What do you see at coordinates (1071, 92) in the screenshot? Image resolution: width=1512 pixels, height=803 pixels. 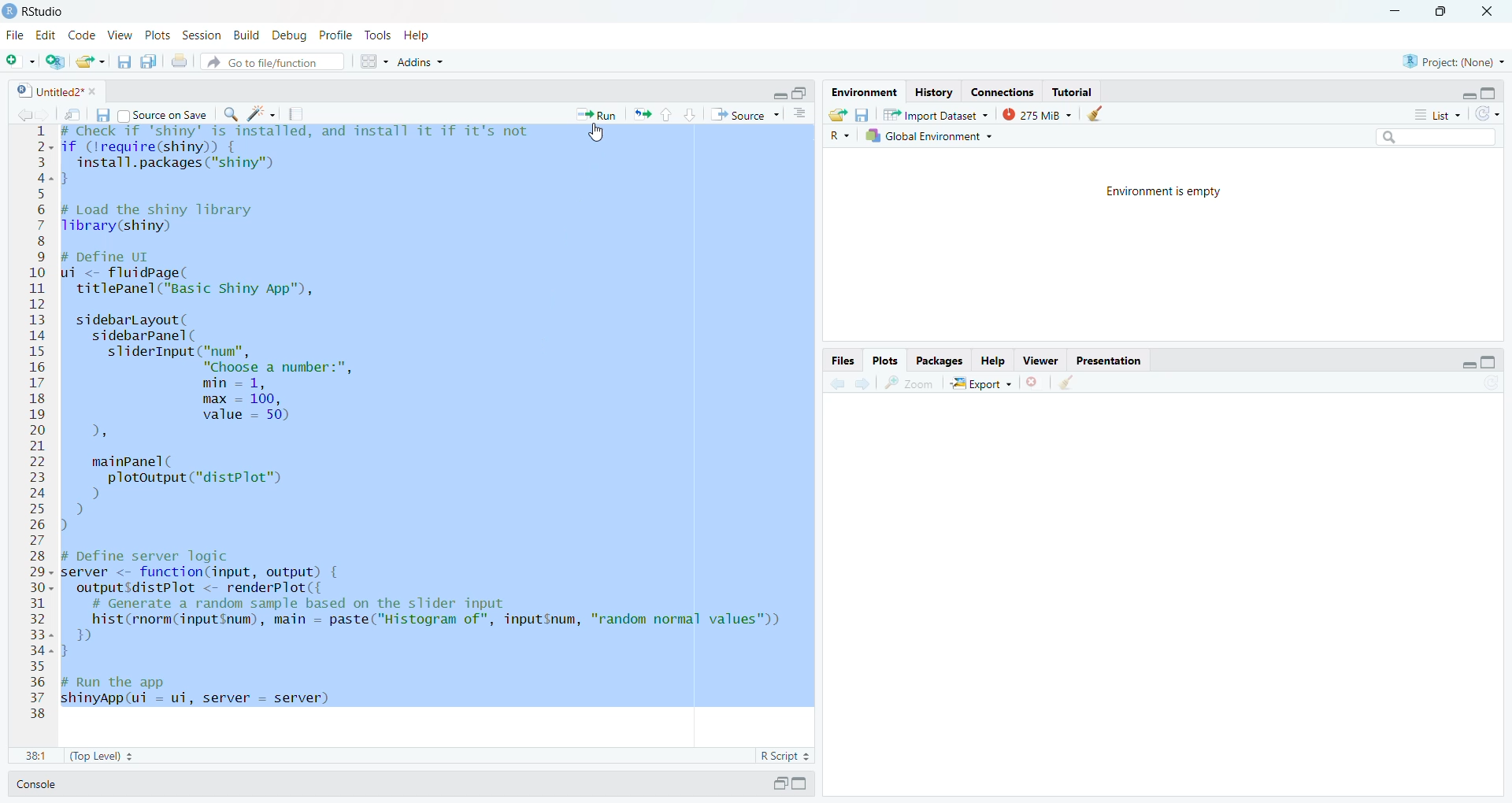 I see `Tutorial` at bounding box center [1071, 92].